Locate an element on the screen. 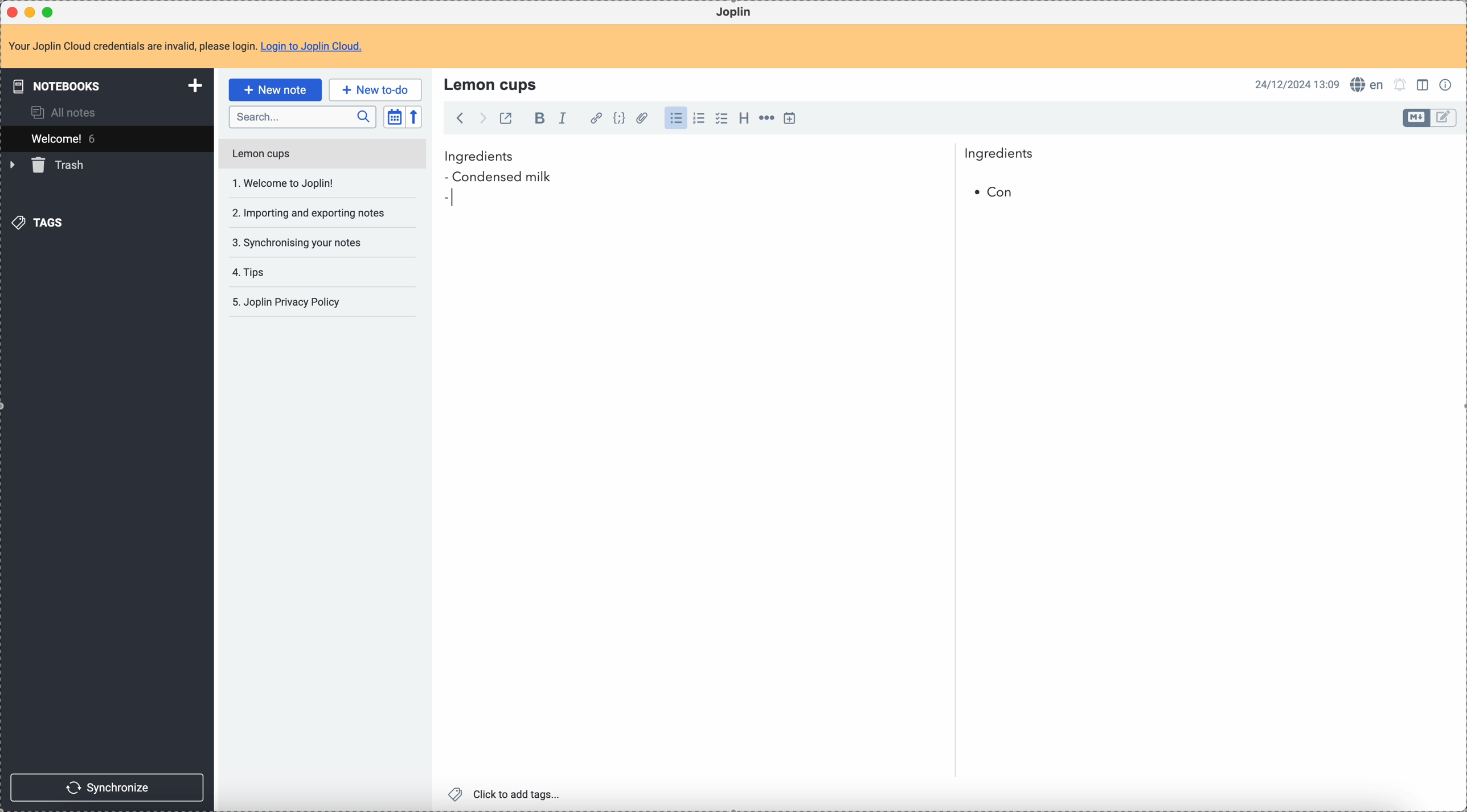  tips is located at coordinates (251, 273).